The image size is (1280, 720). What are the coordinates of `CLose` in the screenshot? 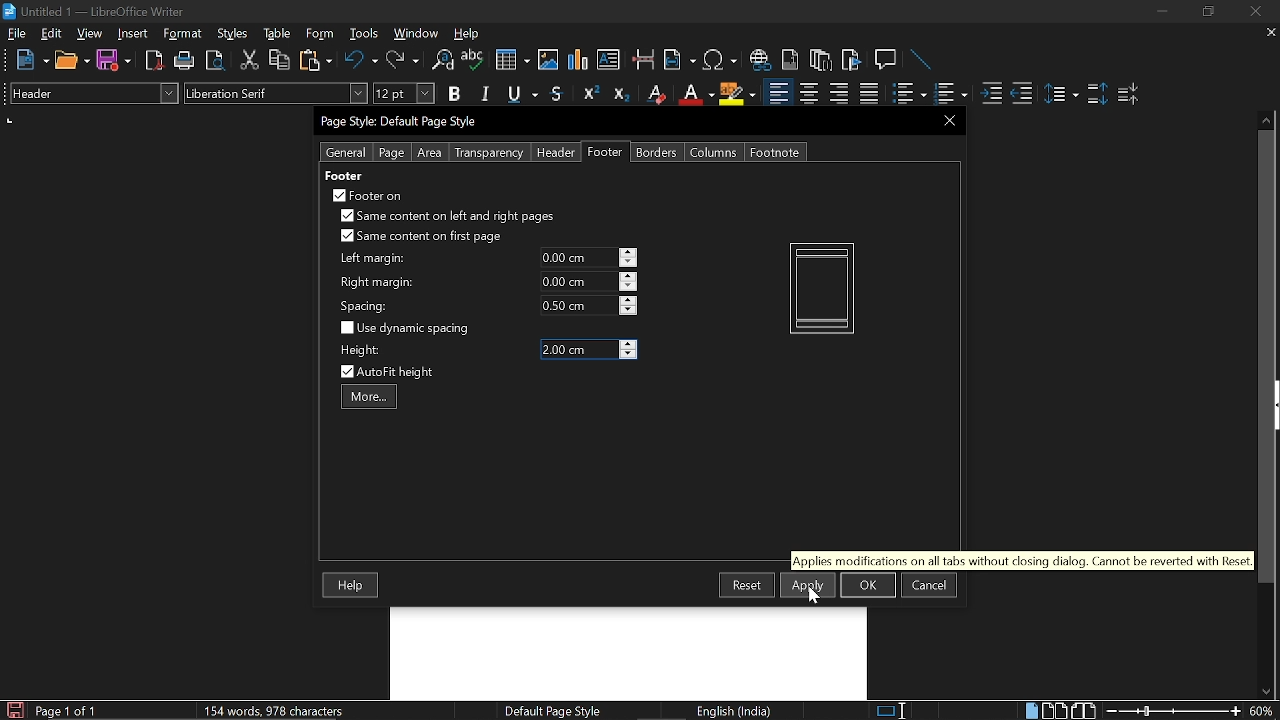 It's located at (947, 120).